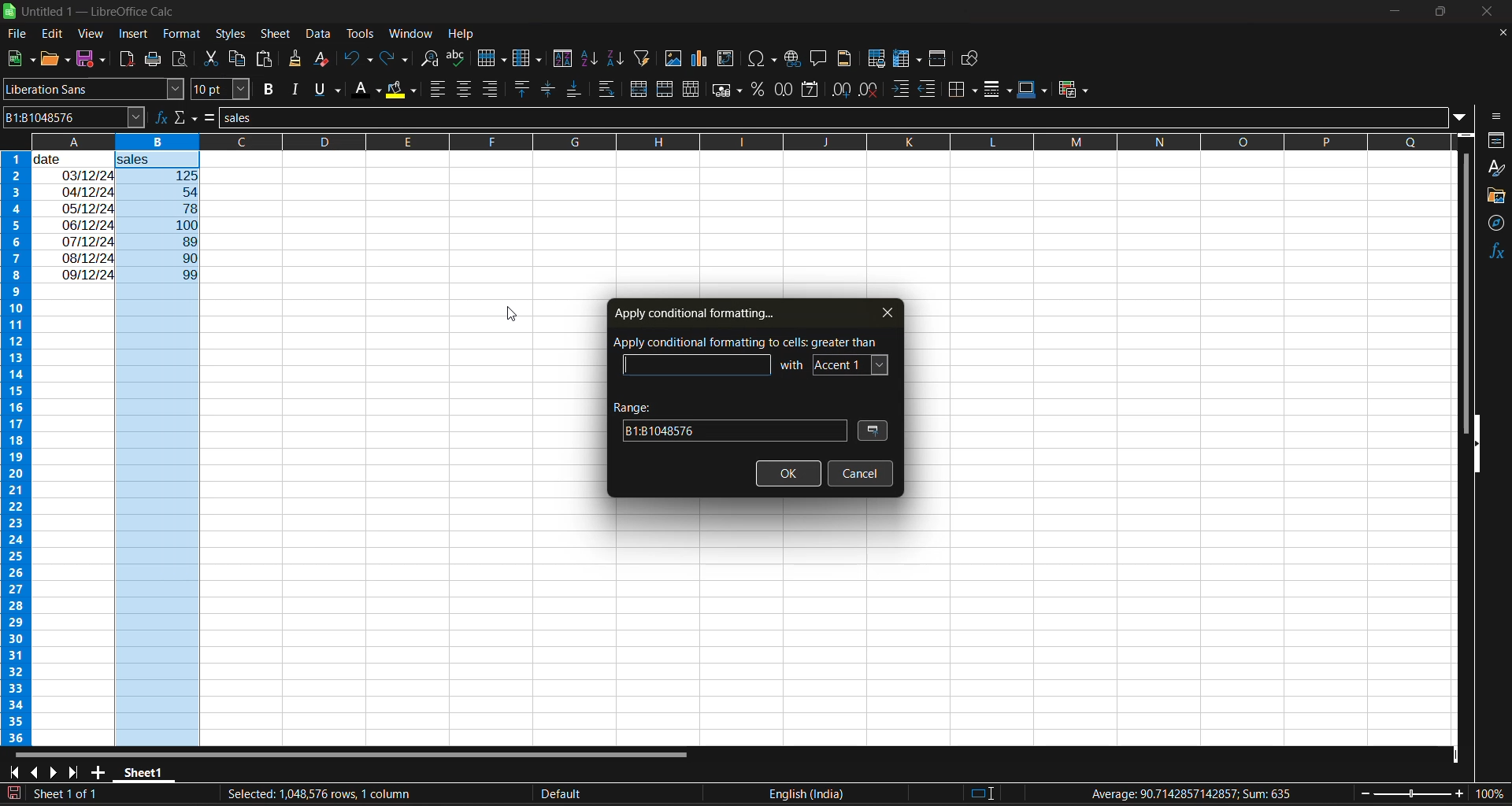  I want to click on align top, so click(523, 88).